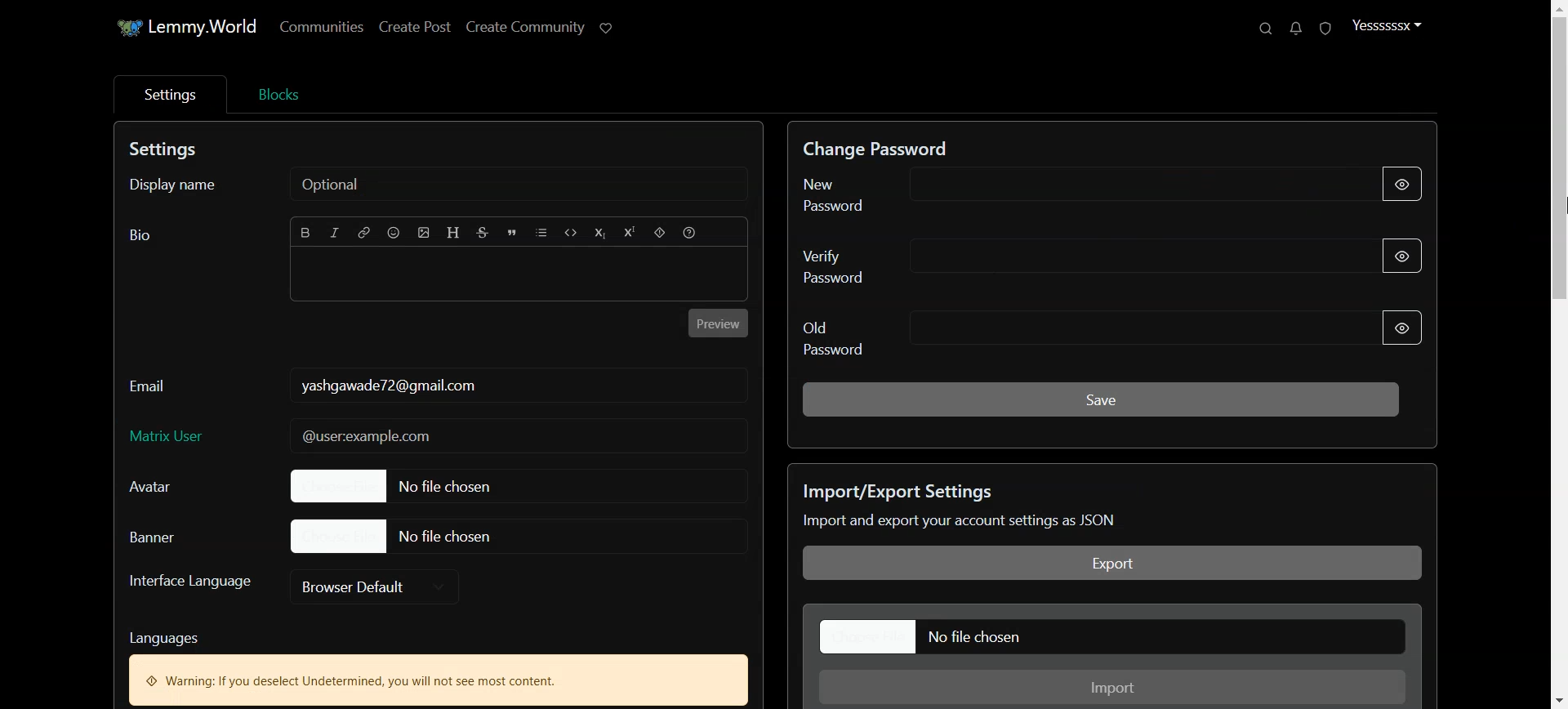 The image size is (1568, 709). What do you see at coordinates (169, 96) in the screenshot?
I see `Settings` at bounding box center [169, 96].